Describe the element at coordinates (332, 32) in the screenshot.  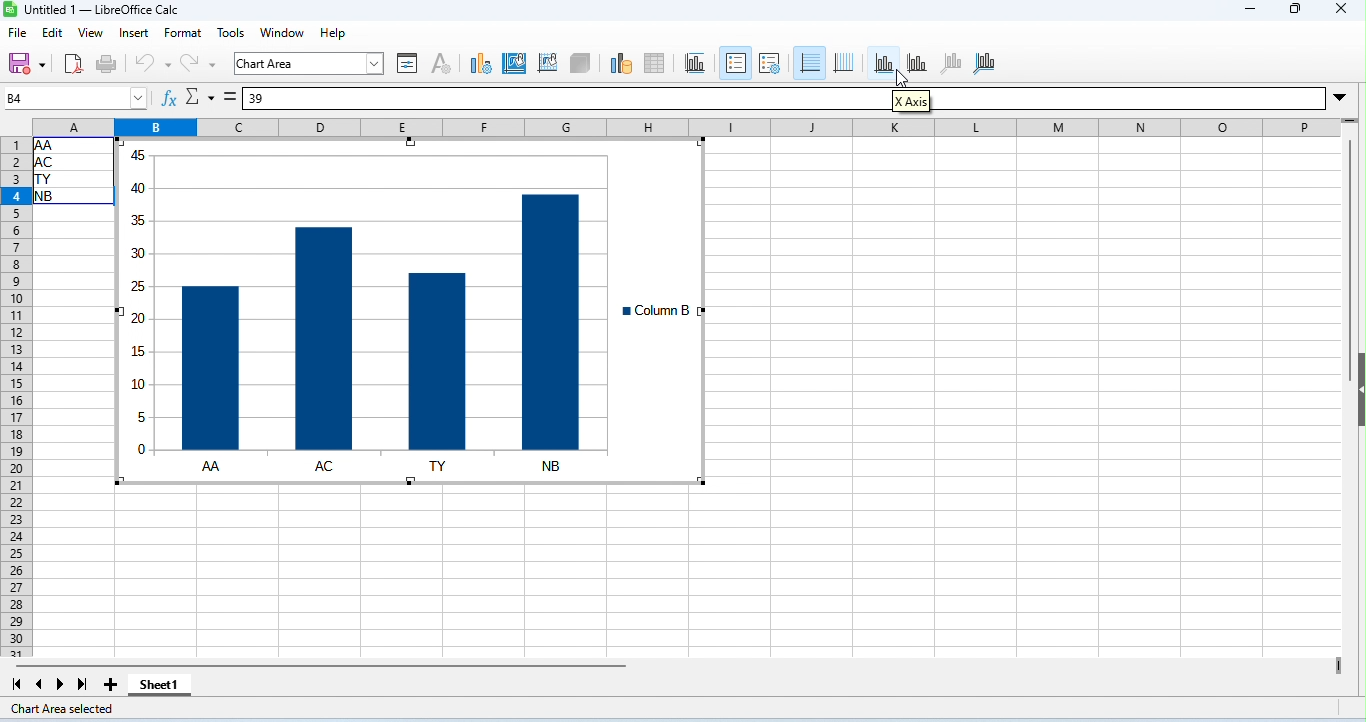
I see `help ` at that location.